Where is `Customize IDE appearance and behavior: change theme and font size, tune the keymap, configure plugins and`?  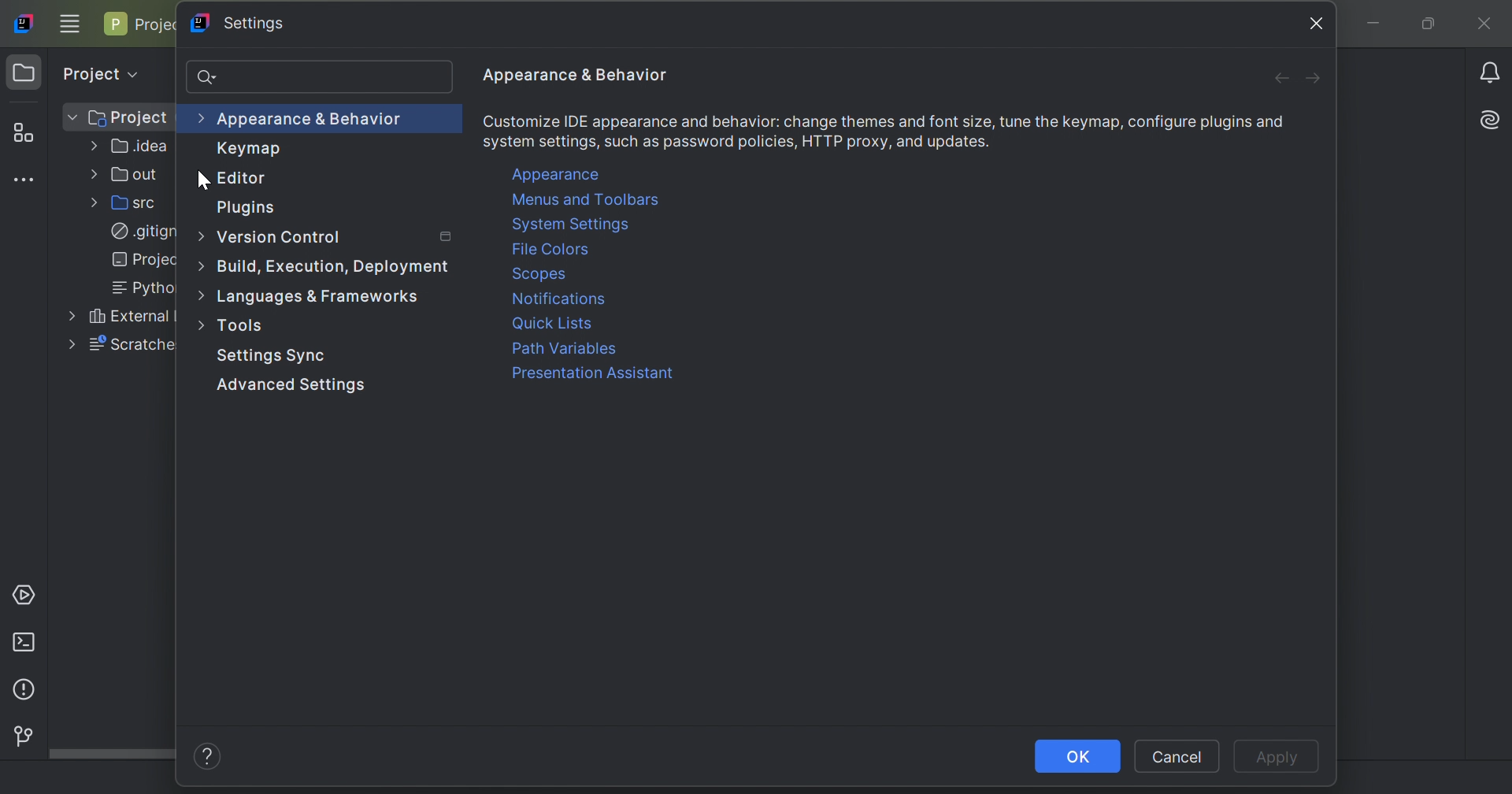
Customize IDE appearance and behavior: change theme and font size, tune the keymap, configure plugins and is located at coordinates (884, 121).